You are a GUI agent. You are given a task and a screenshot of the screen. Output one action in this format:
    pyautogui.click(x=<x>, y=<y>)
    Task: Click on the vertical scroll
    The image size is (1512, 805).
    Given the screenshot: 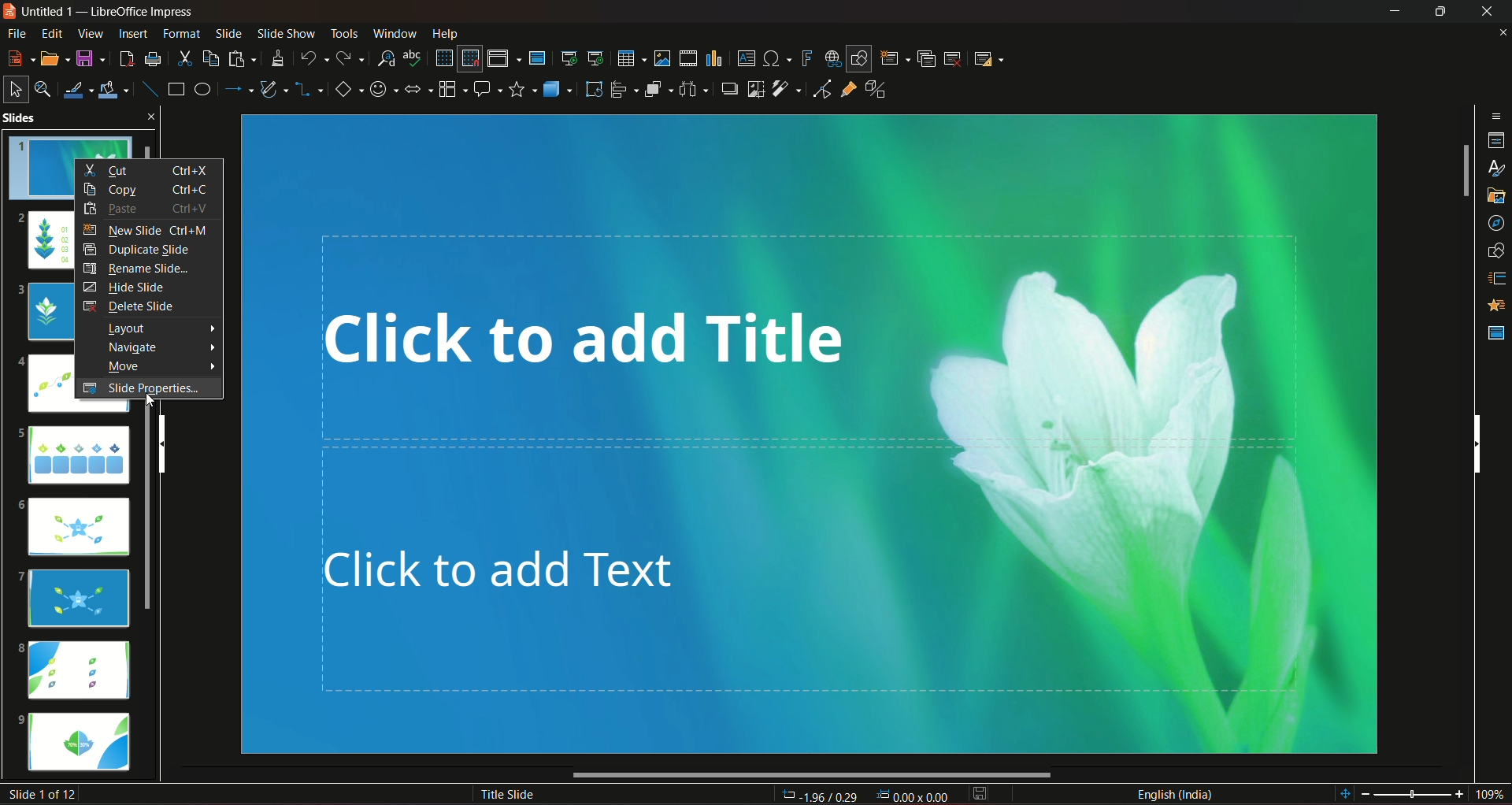 What is the action you would take?
    pyautogui.click(x=174, y=443)
    